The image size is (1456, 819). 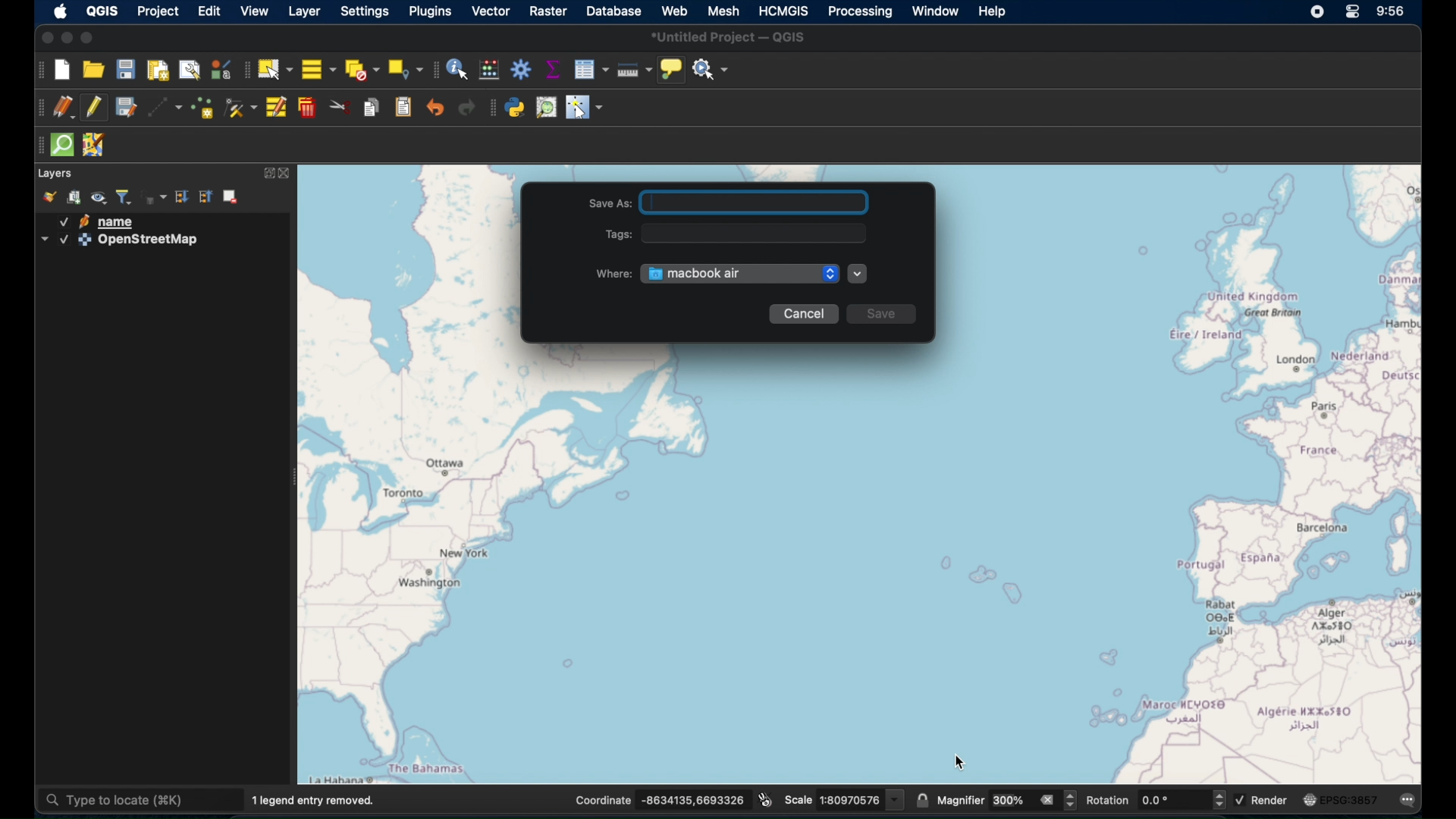 What do you see at coordinates (39, 110) in the screenshot?
I see `digitizing toolbar` at bounding box center [39, 110].